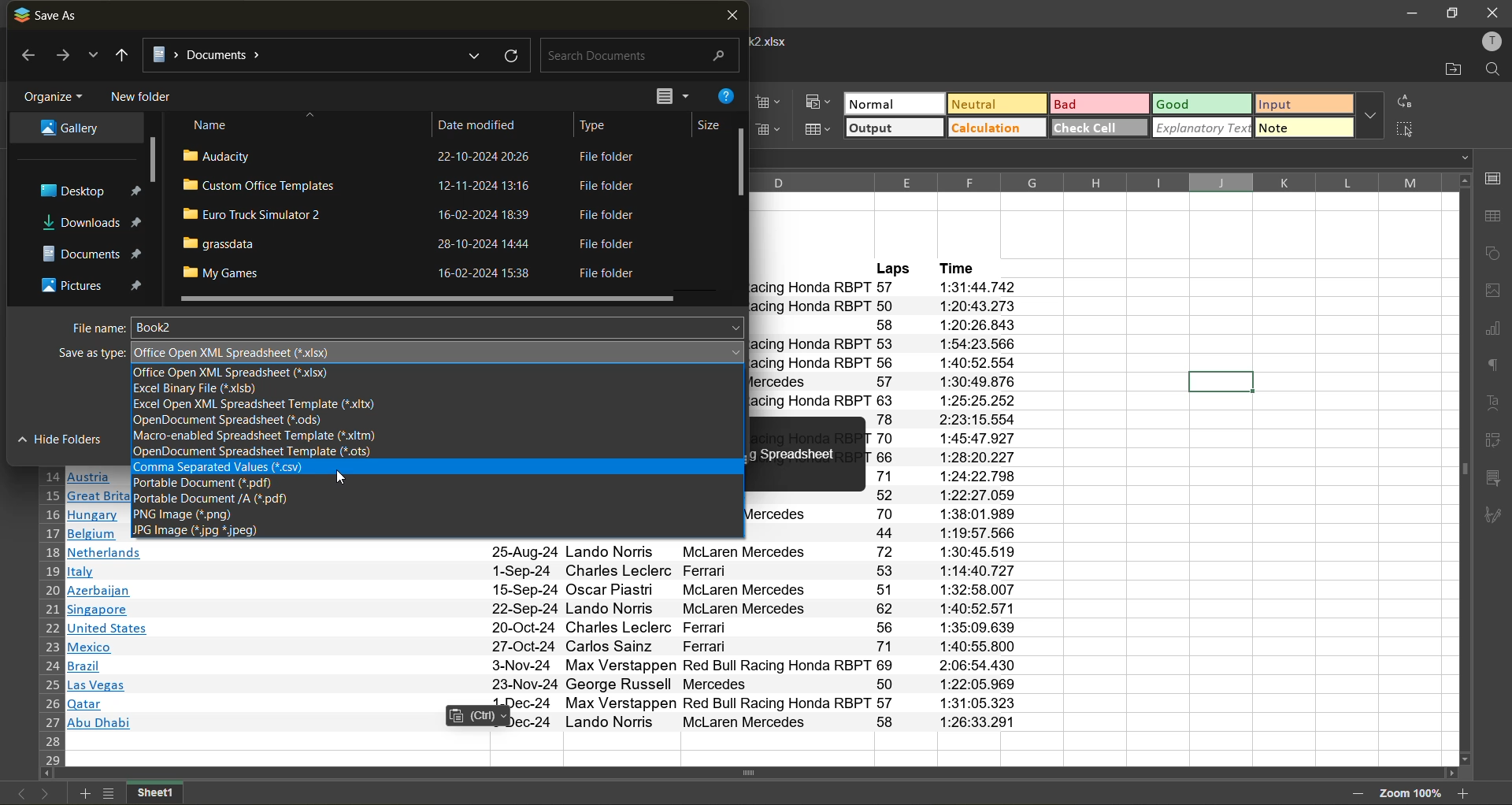  What do you see at coordinates (1203, 129) in the screenshot?
I see `explanatory text` at bounding box center [1203, 129].